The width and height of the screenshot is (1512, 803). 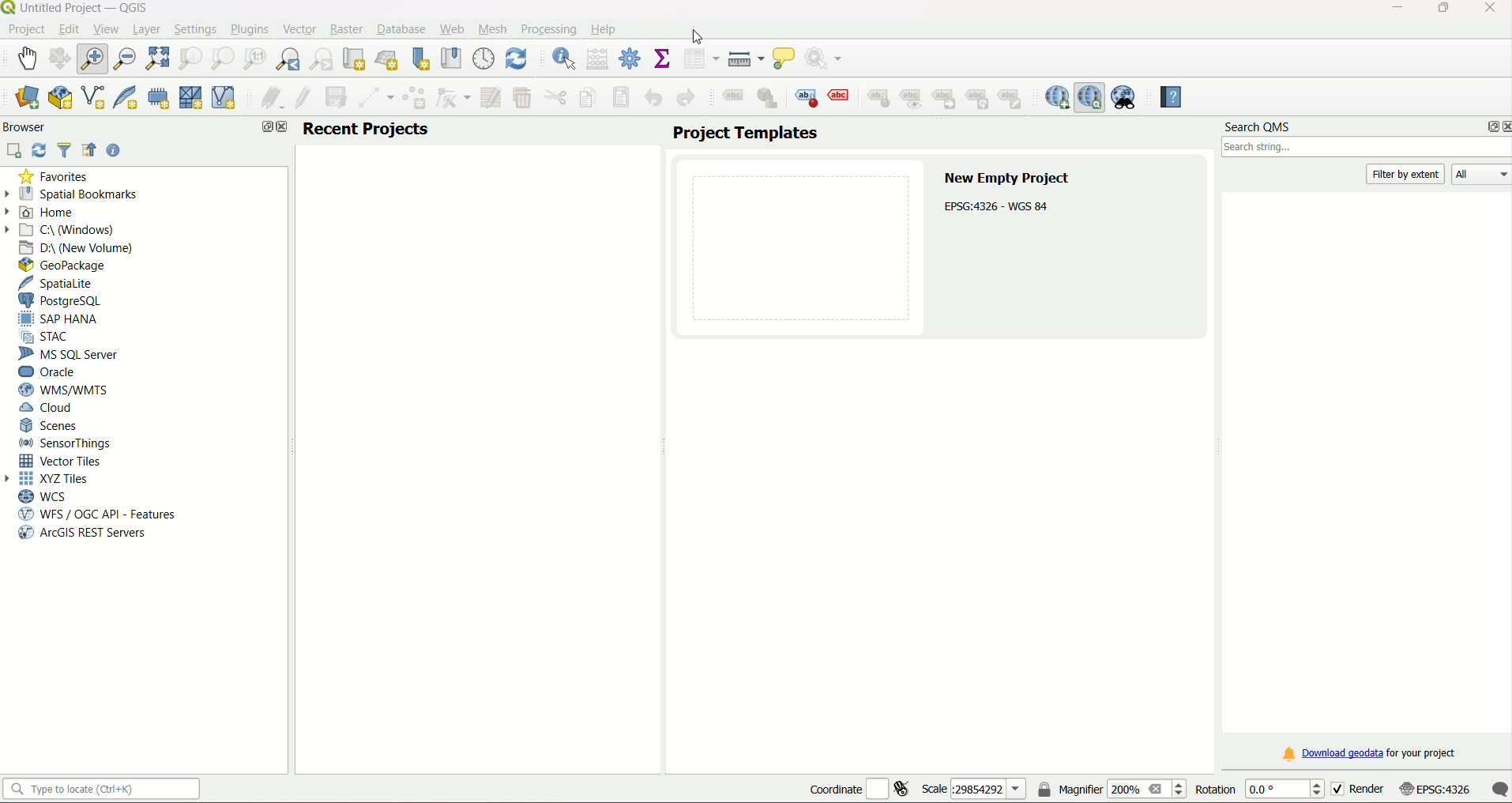 What do you see at coordinates (123, 98) in the screenshot?
I see `new spatialite layer` at bounding box center [123, 98].